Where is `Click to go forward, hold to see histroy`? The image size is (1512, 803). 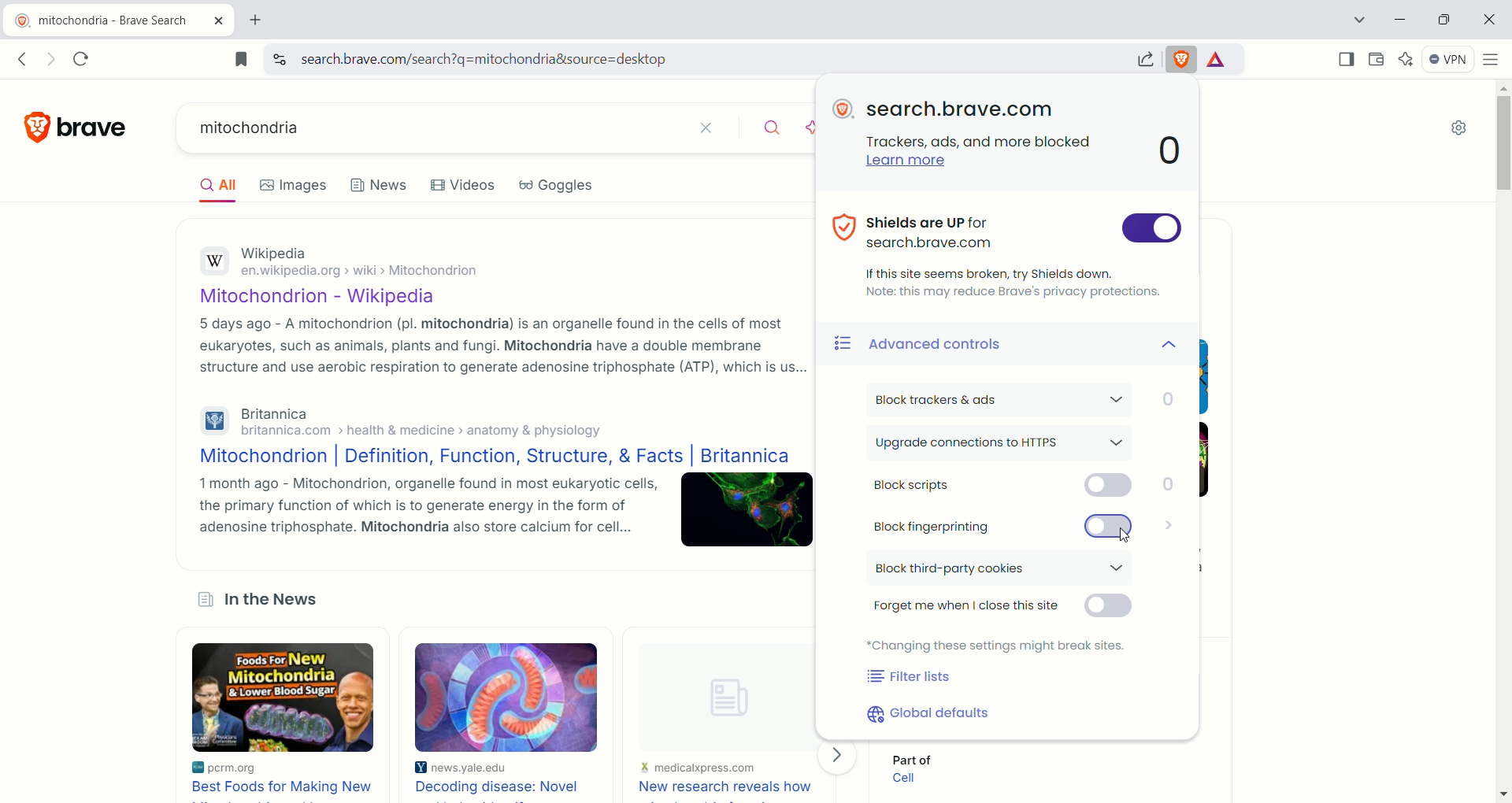 Click to go forward, hold to see histroy is located at coordinates (53, 58).